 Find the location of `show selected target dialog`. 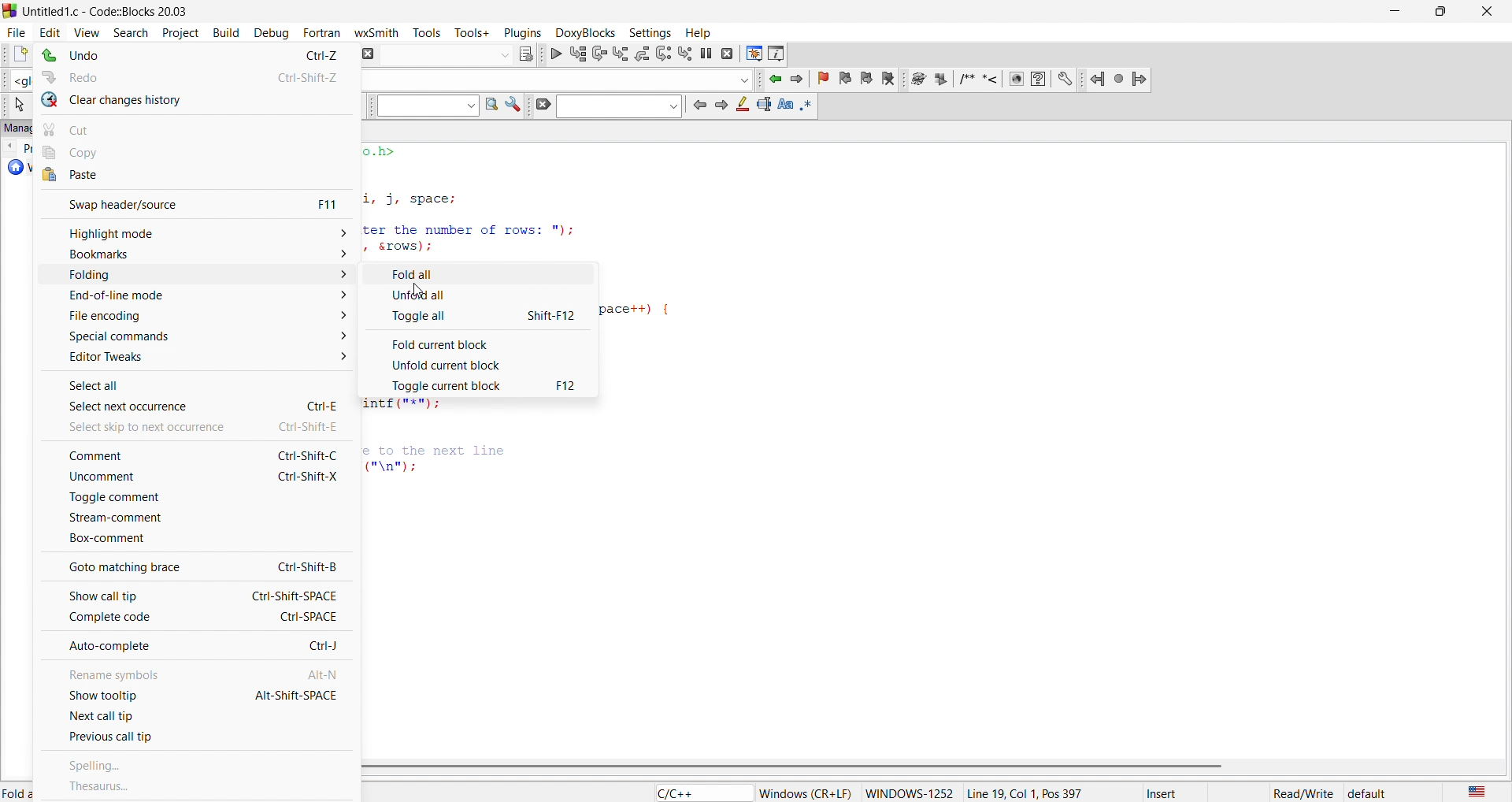

show selected target dialog is located at coordinates (524, 53).